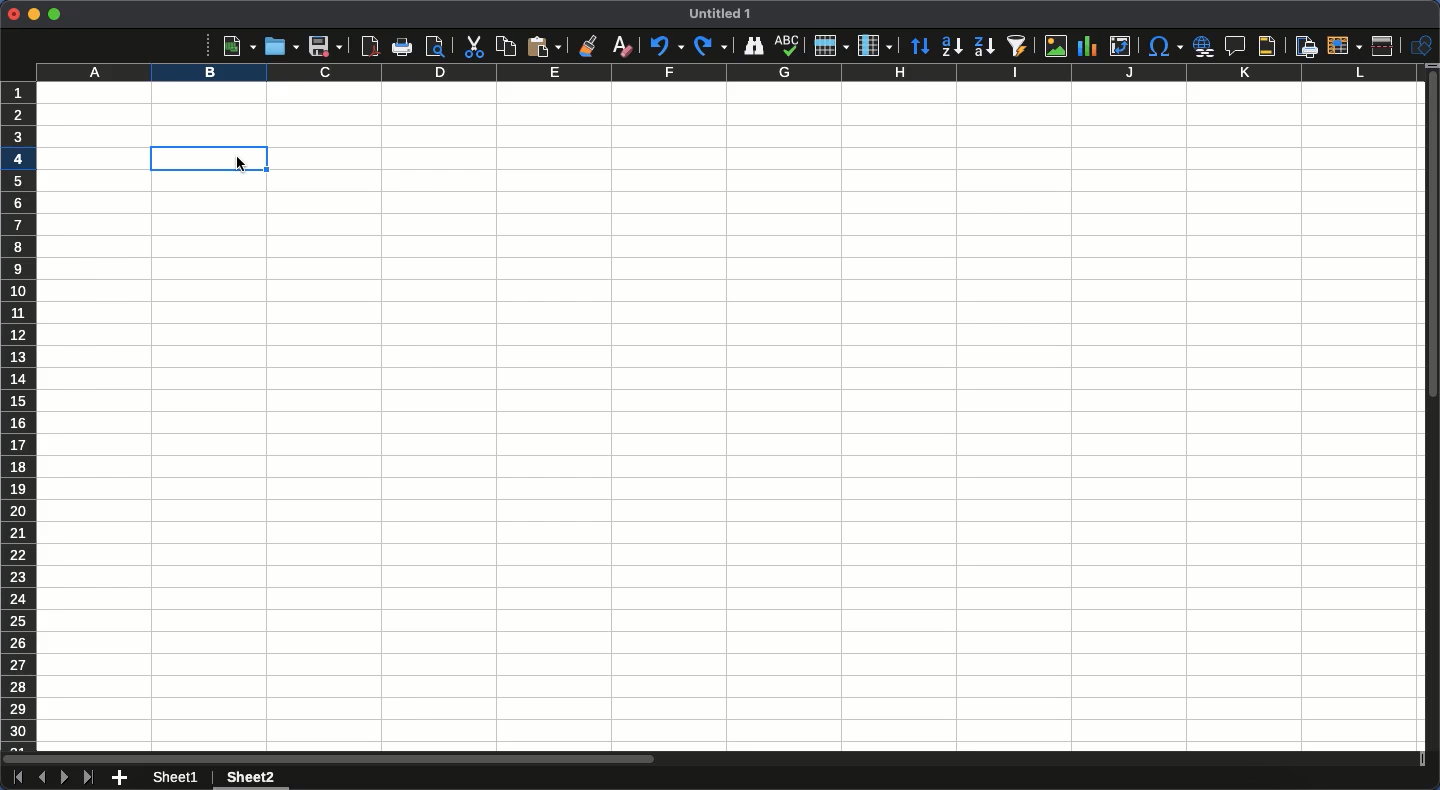 The image size is (1440, 790). Describe the element at coordinates (13, 14) in the screenshot. I see `Close` at that location.